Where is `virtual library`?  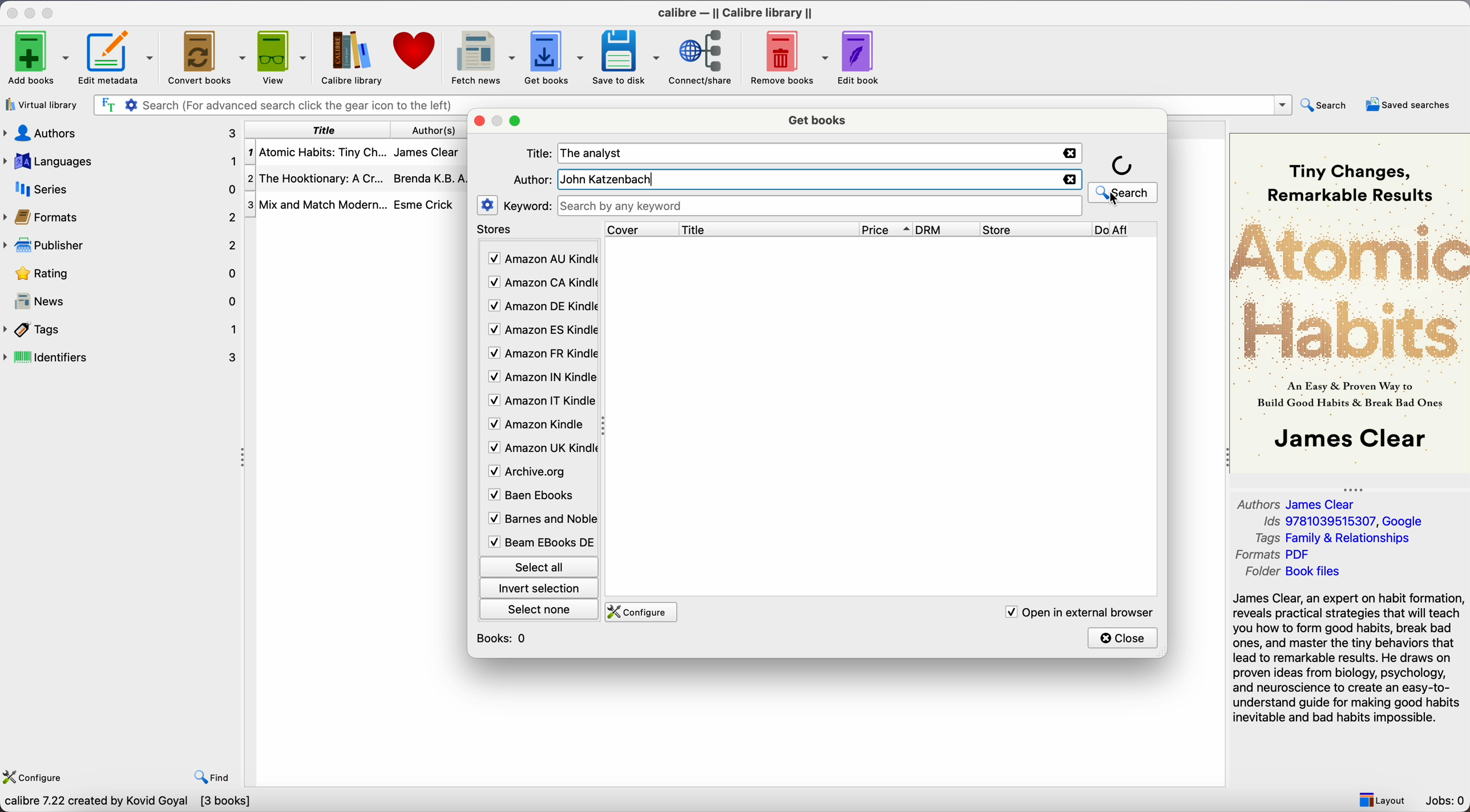 virtual library is located at coordinates (41, 106).